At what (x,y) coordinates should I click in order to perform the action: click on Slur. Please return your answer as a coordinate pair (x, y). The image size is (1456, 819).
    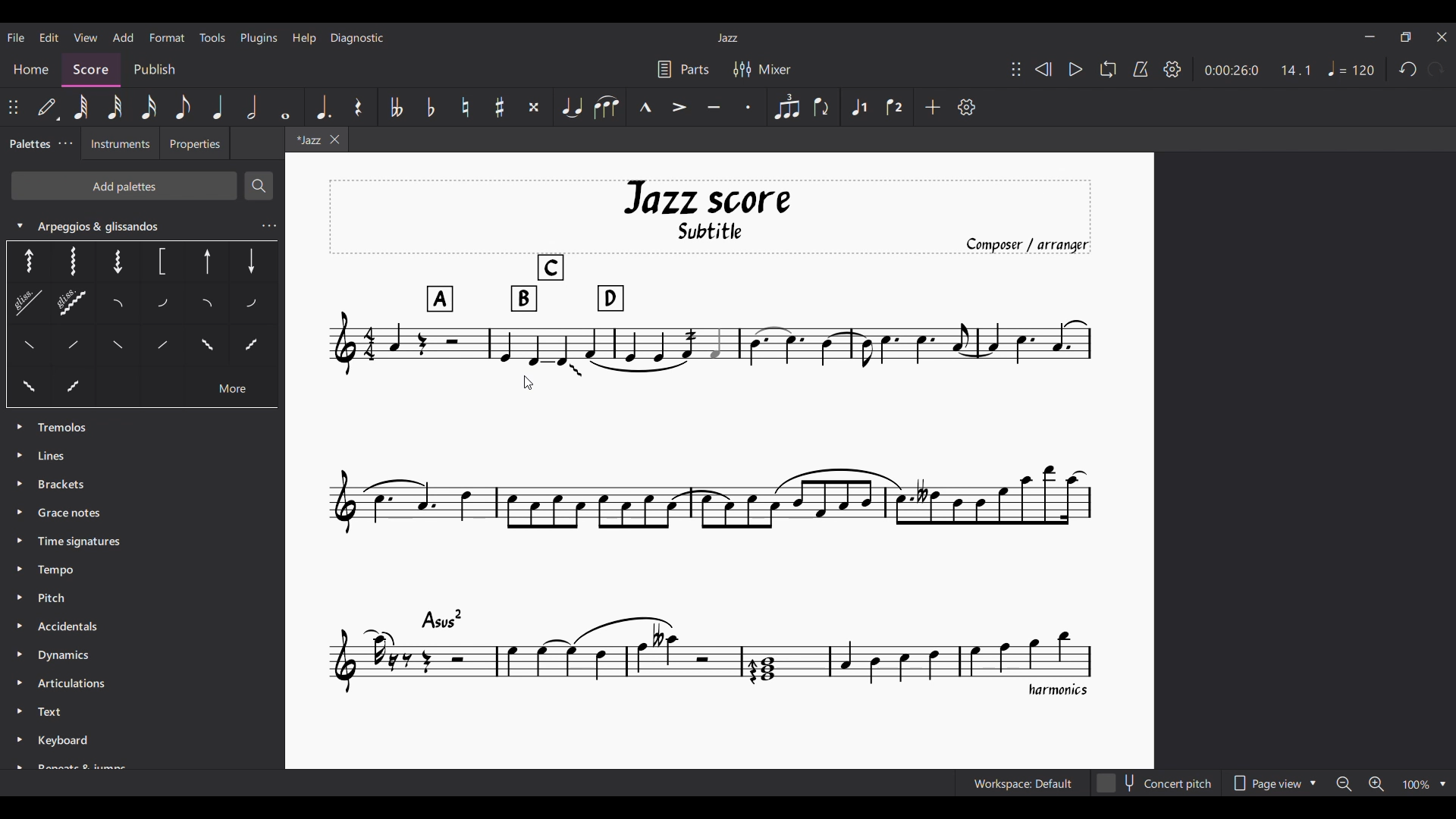
    Looking at the image, I should click on (606, 107).